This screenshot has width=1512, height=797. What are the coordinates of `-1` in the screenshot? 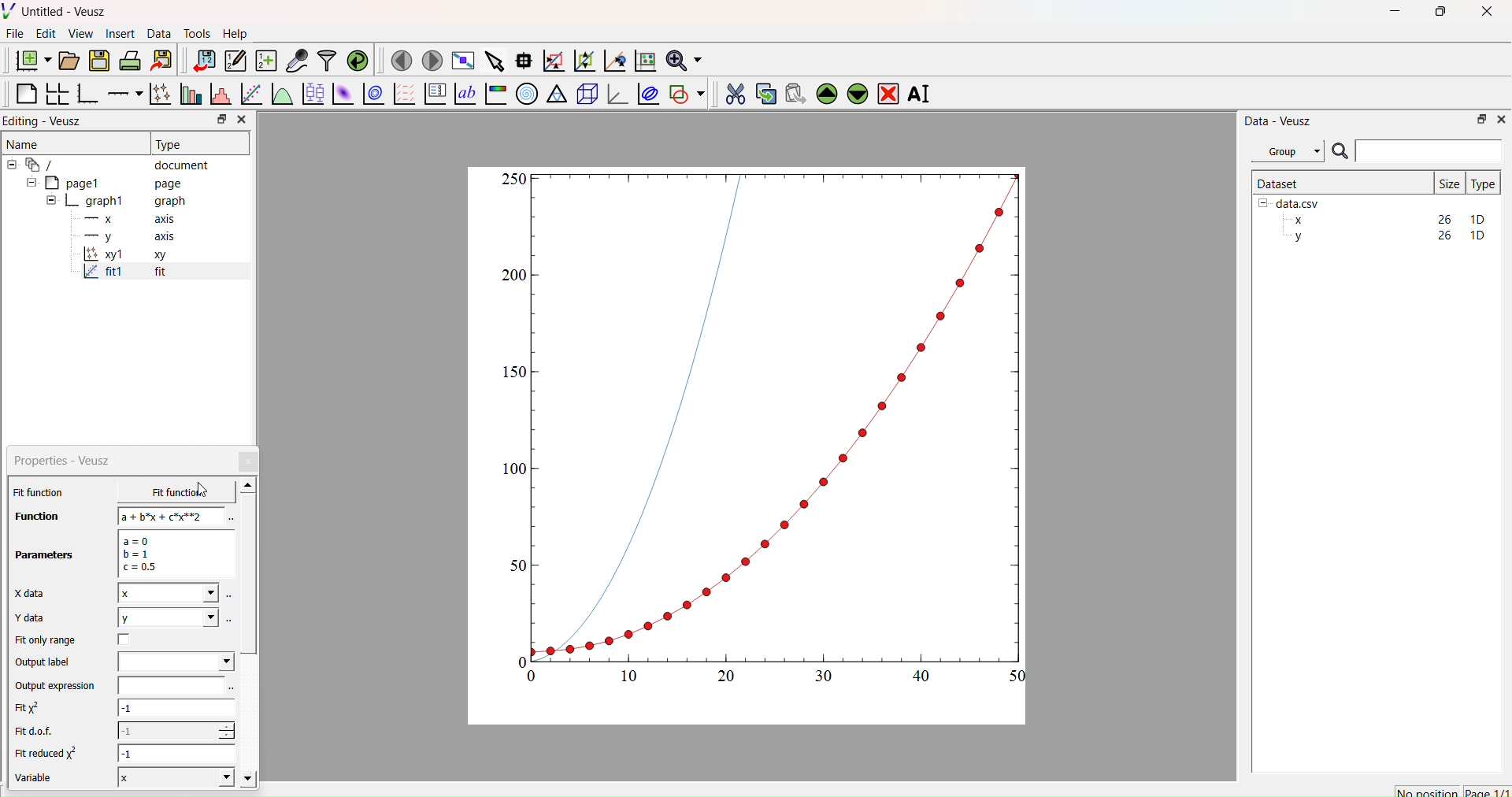 It's located at (178, 753).